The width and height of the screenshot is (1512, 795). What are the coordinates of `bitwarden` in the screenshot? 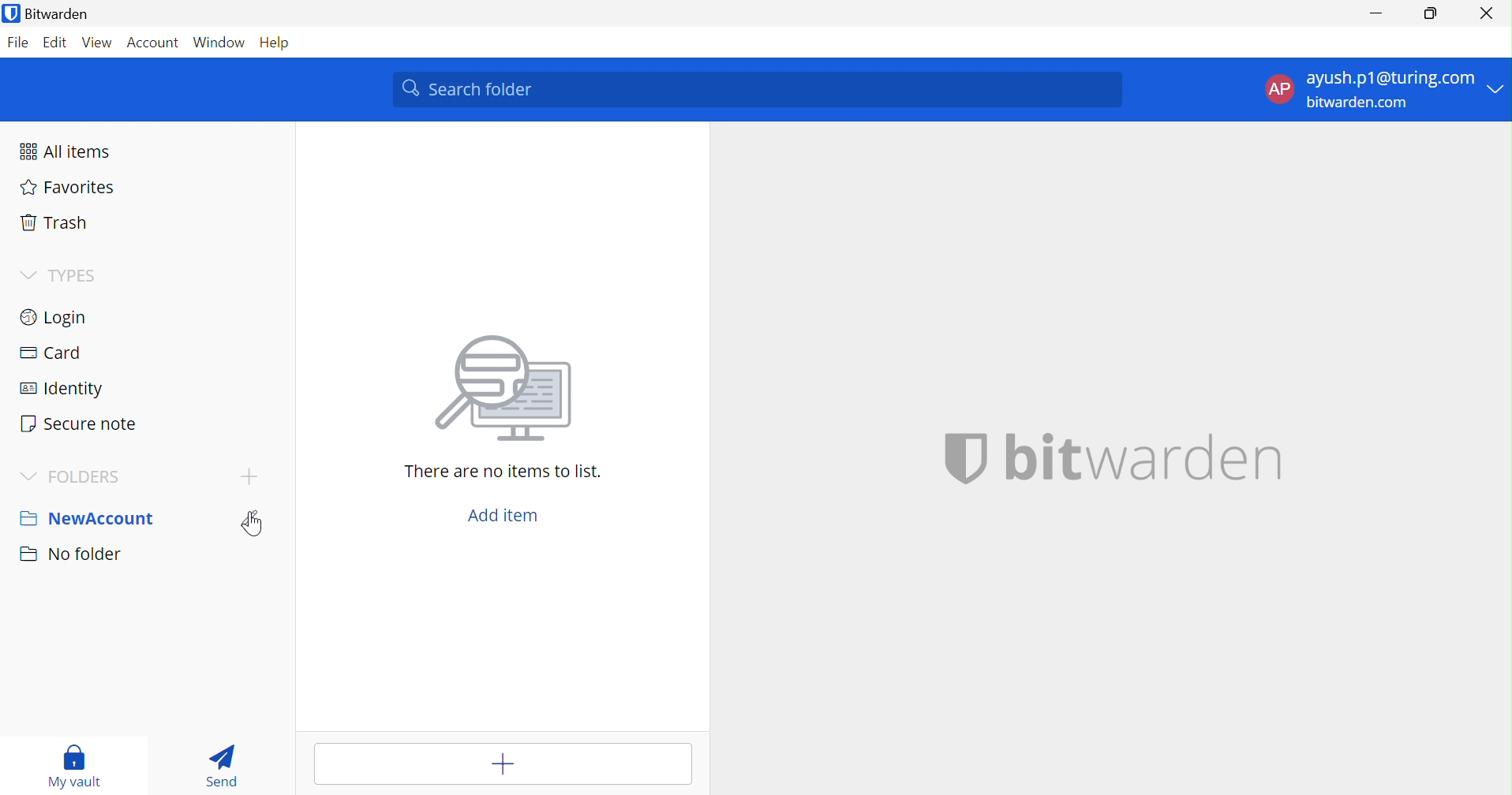 It's located at (1142, 457).